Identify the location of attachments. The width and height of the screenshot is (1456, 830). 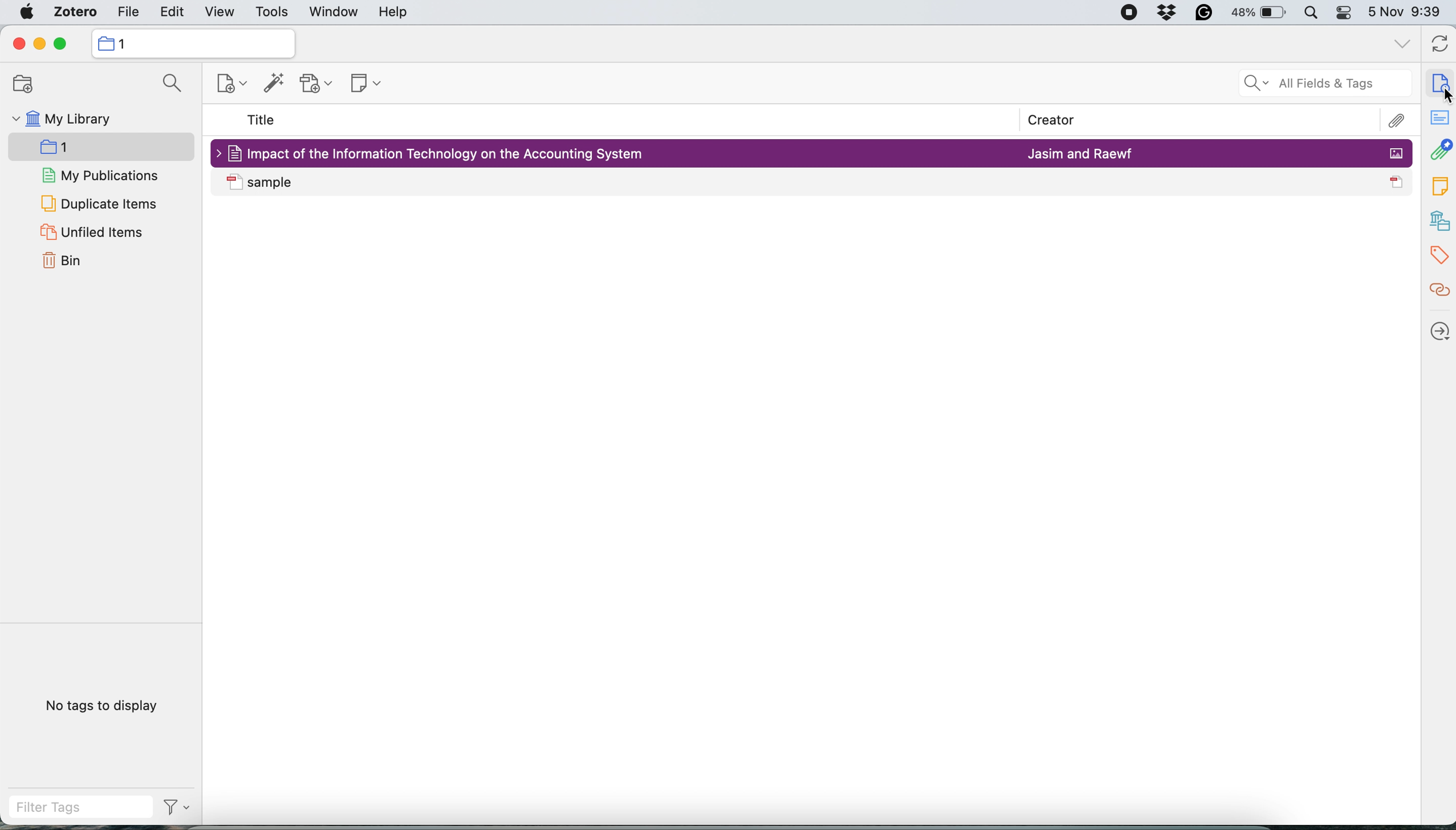
(1396, 121).